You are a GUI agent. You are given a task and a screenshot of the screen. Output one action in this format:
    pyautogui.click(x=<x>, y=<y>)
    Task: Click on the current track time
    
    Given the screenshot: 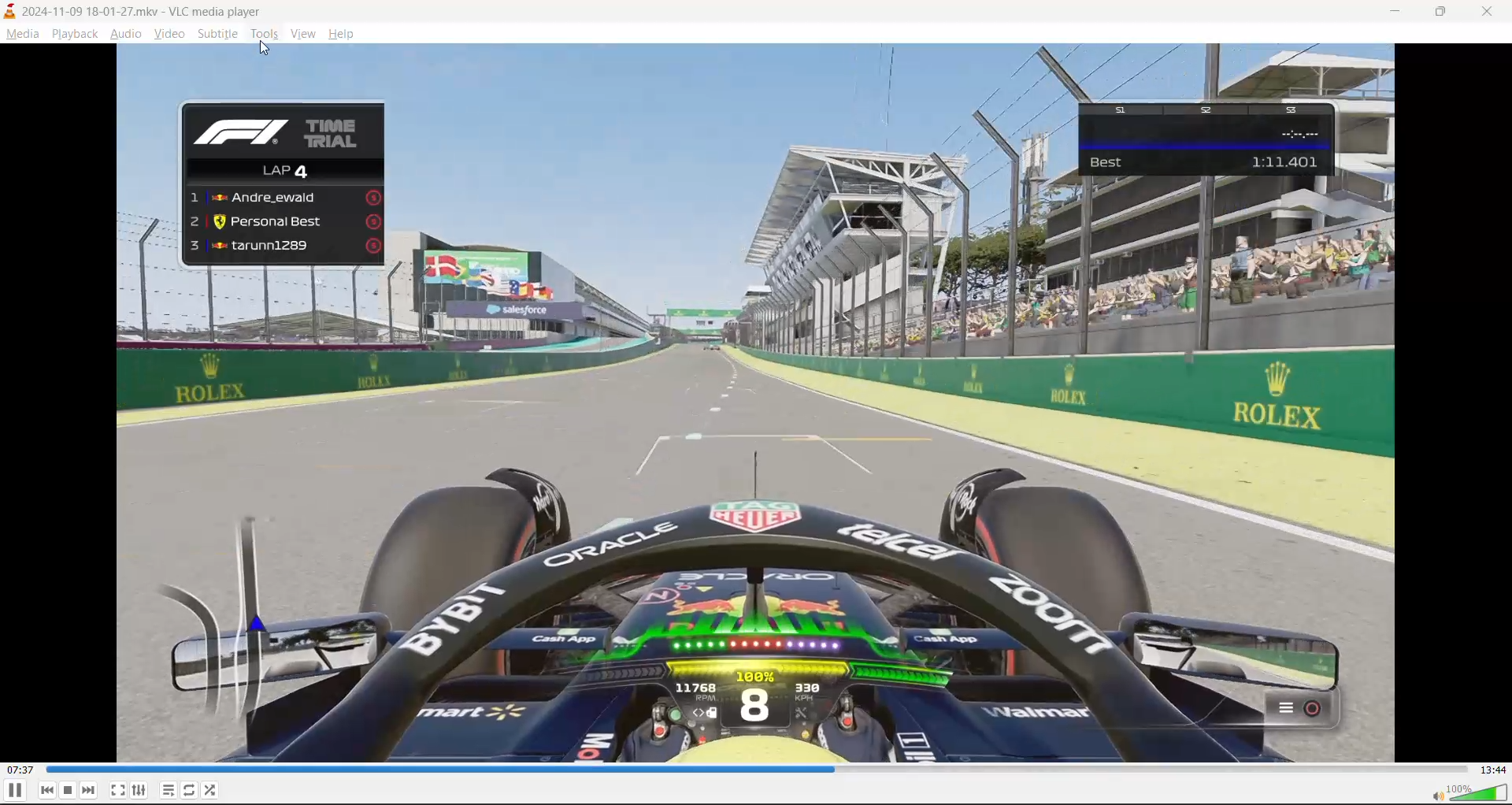 What is the action you would take?
    pyautogui.click(x=23, y=770)
    